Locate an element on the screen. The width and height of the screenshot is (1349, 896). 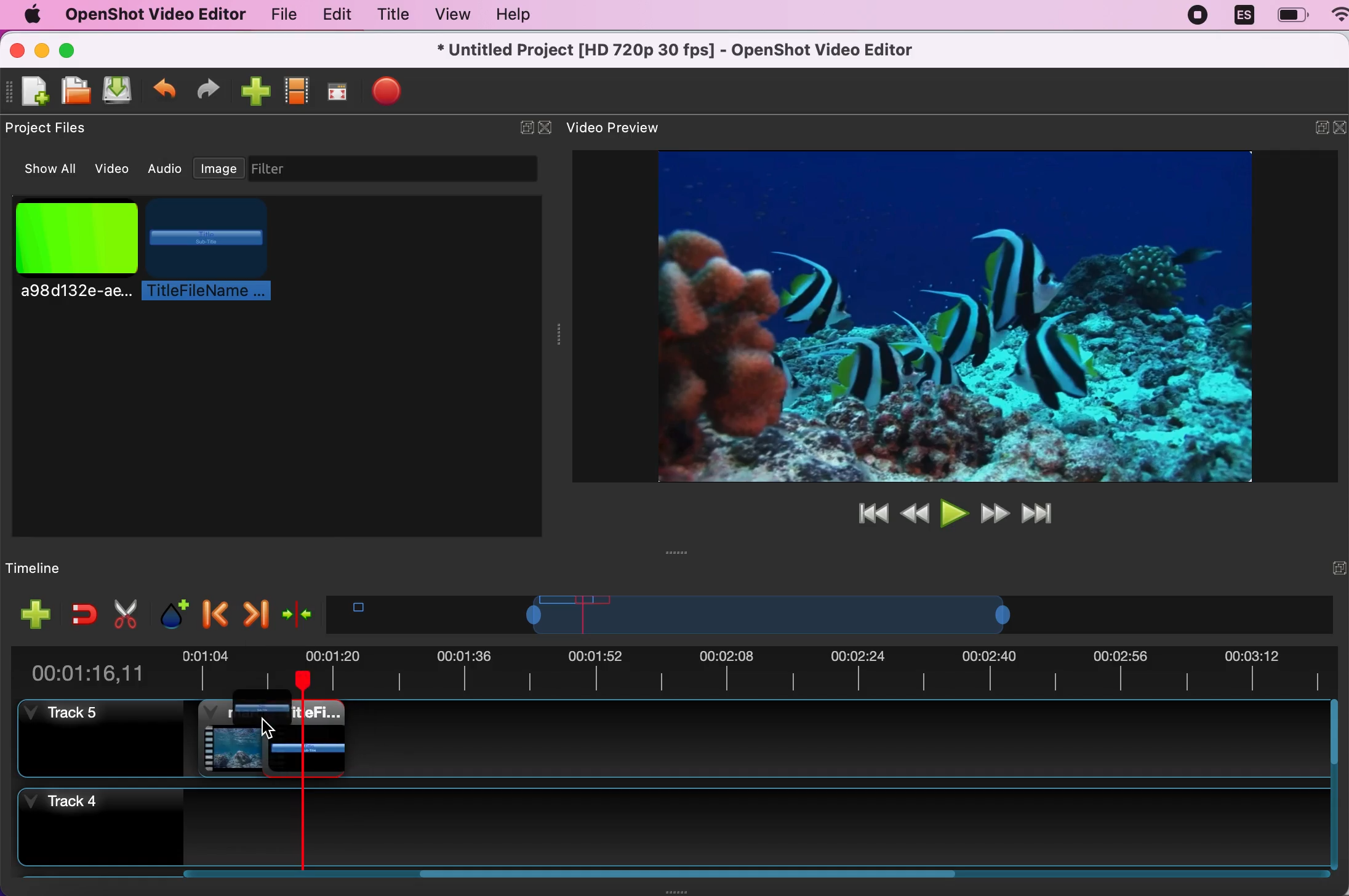
enable snapping is located at coordinates (79, 614).